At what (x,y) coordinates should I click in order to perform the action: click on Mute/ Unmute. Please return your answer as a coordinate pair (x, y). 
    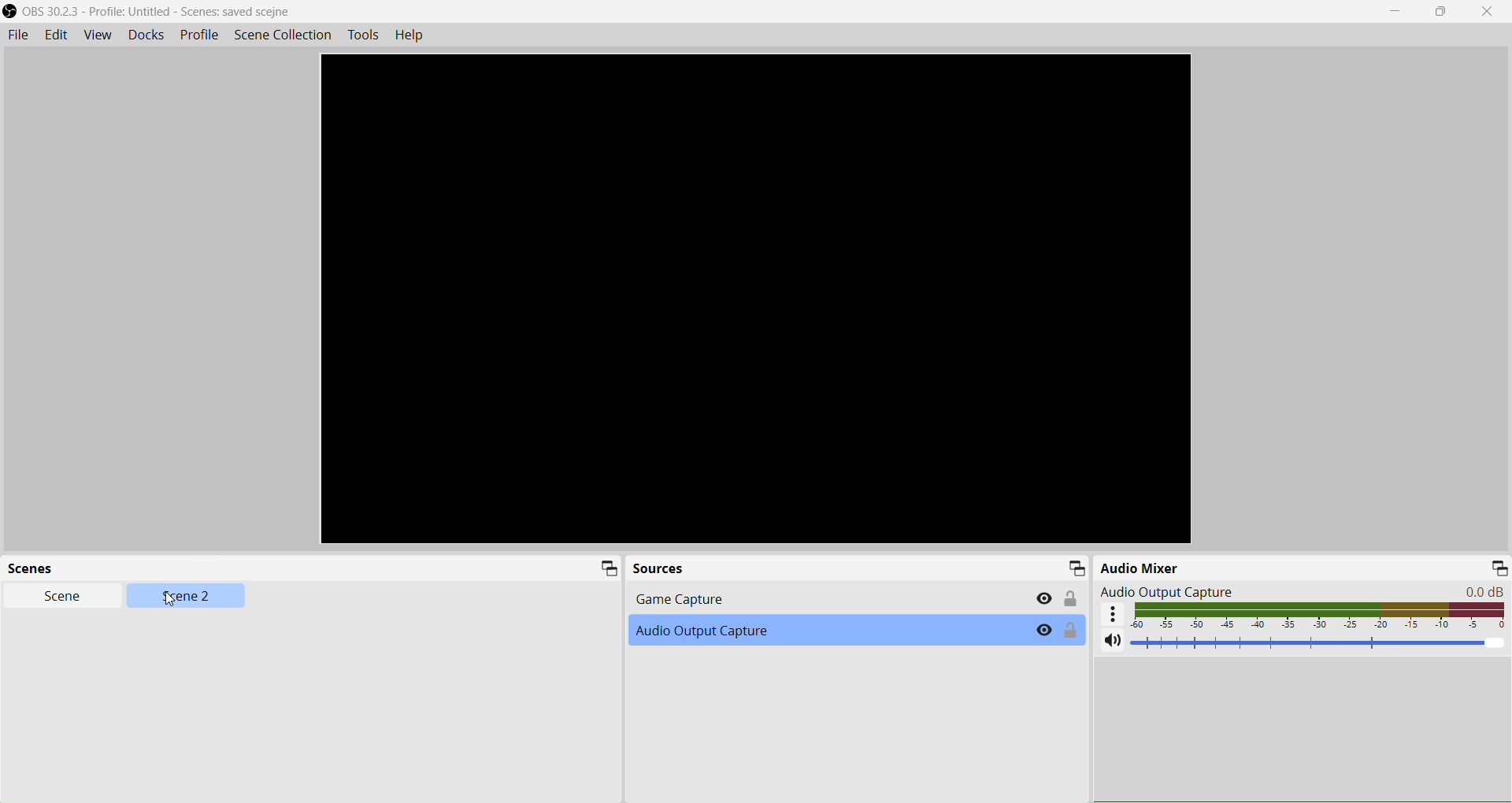
    Looking at the image, I should click on (1112, 639).